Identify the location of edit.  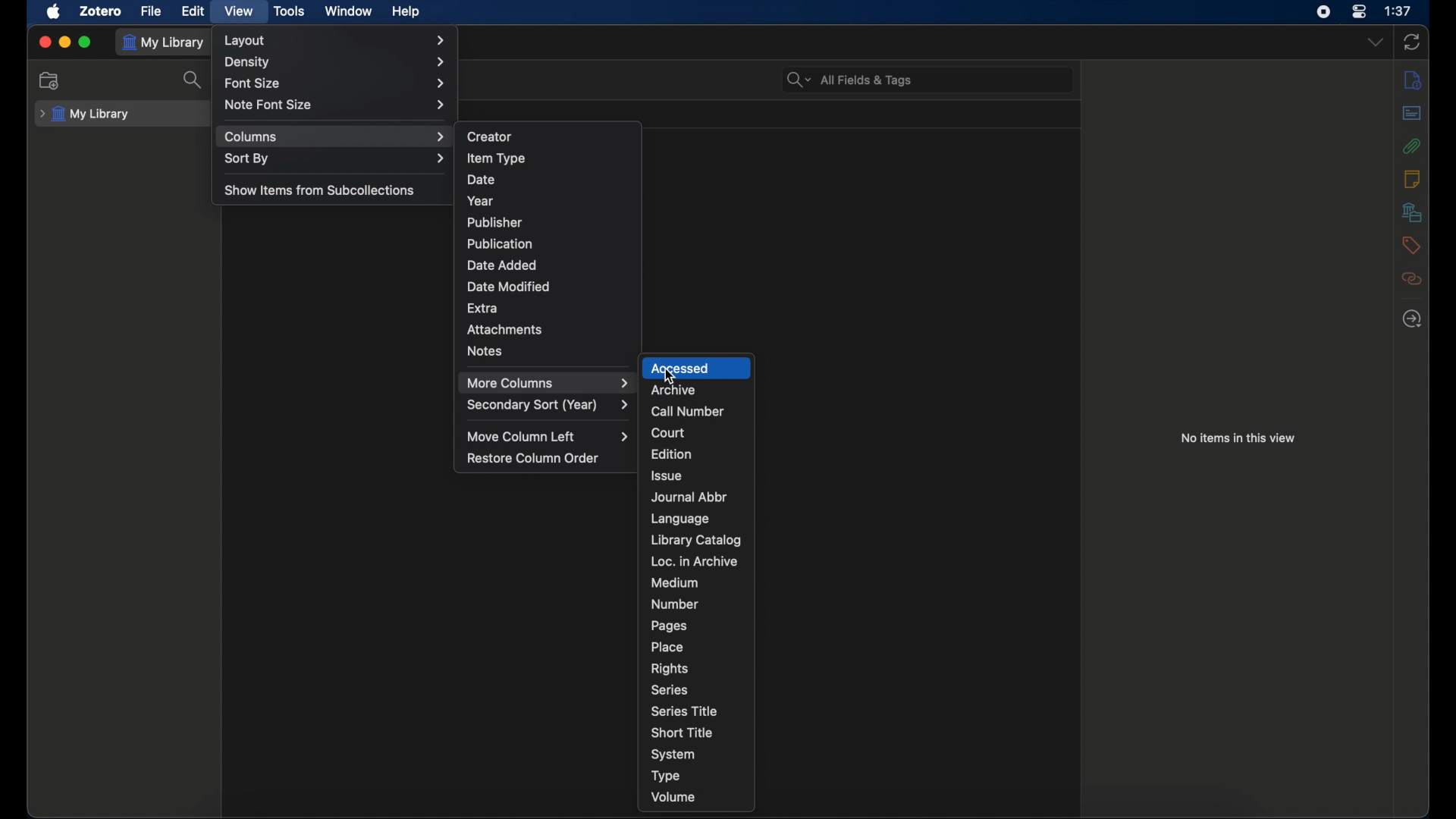
(194, 11).